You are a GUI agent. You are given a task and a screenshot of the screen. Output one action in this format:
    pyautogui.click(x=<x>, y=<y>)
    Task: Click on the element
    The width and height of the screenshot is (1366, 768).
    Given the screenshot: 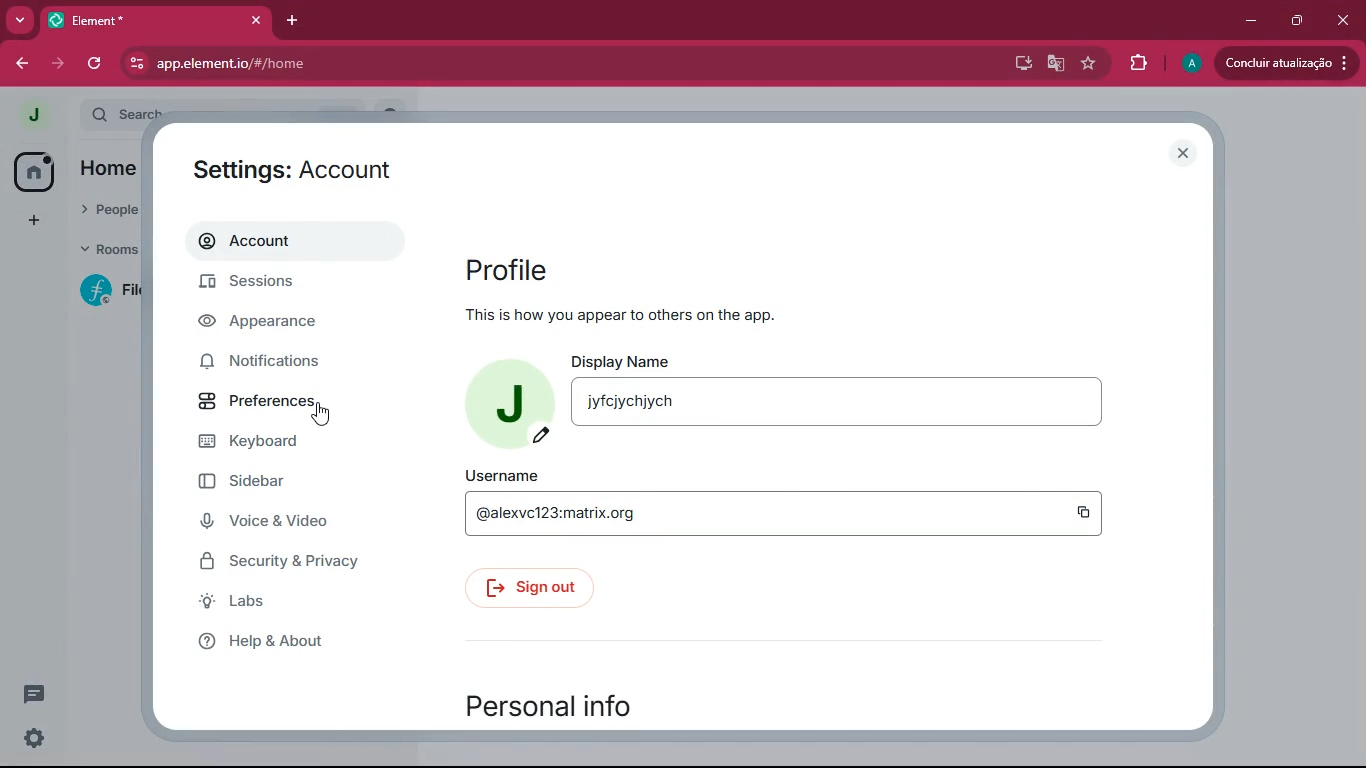 What is the action you would take?
    pyautogui.click(x=155, y=22)
    